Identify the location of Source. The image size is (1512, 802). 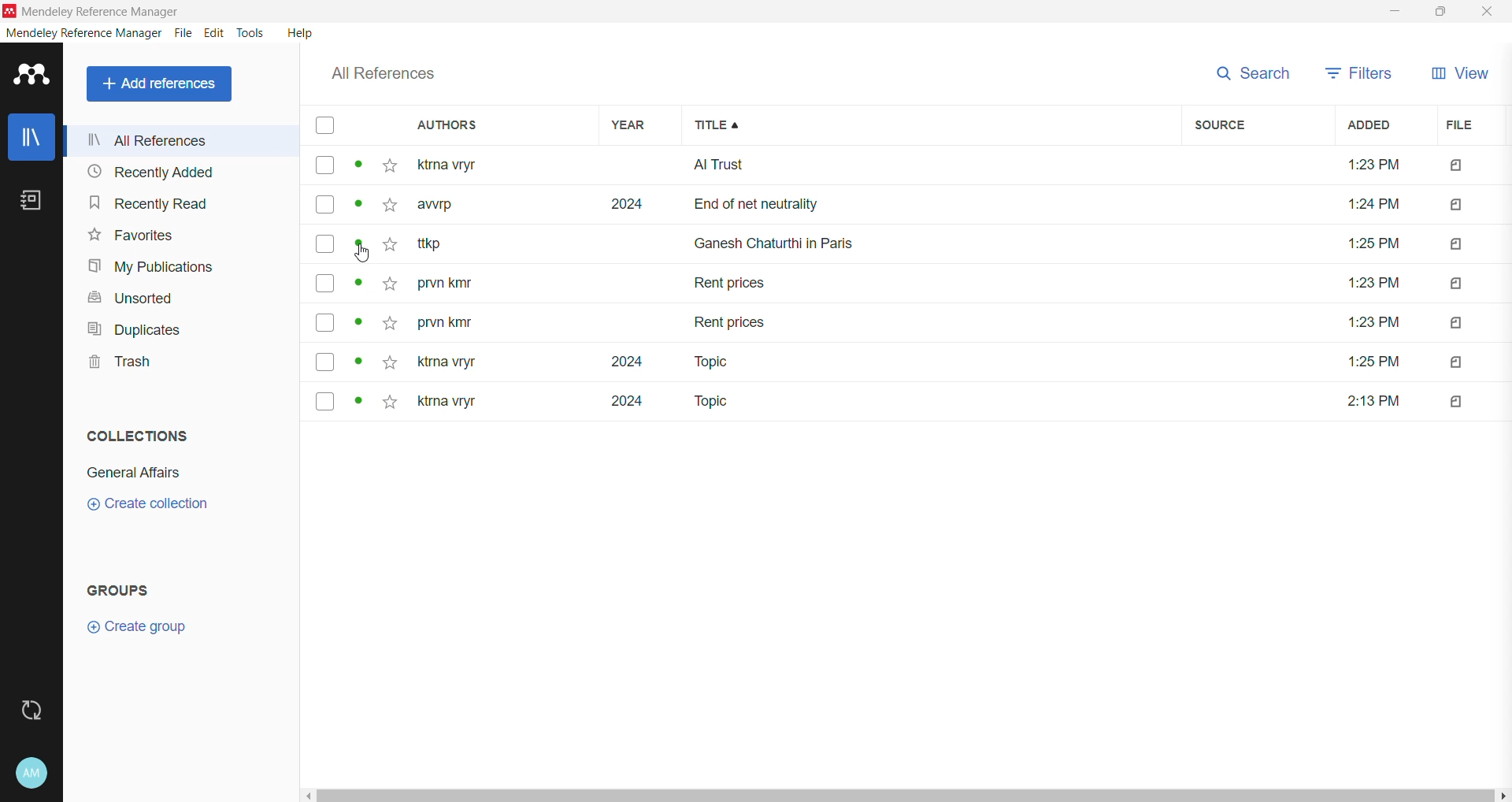
(1261, 126).